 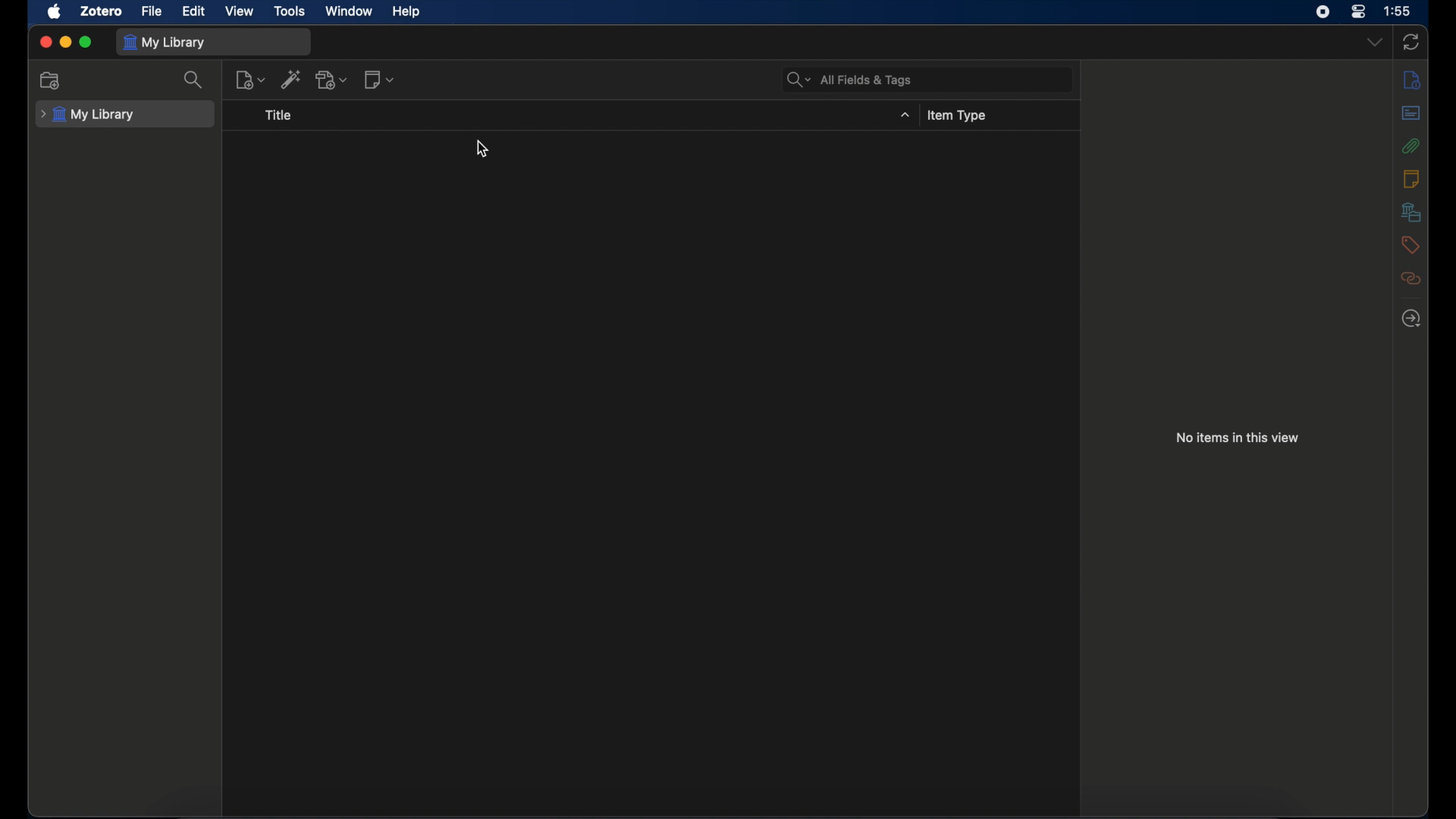 What do you see at coordinates (45, 43) in the screenshot?
I see `close` at bounding box center [45, 43].